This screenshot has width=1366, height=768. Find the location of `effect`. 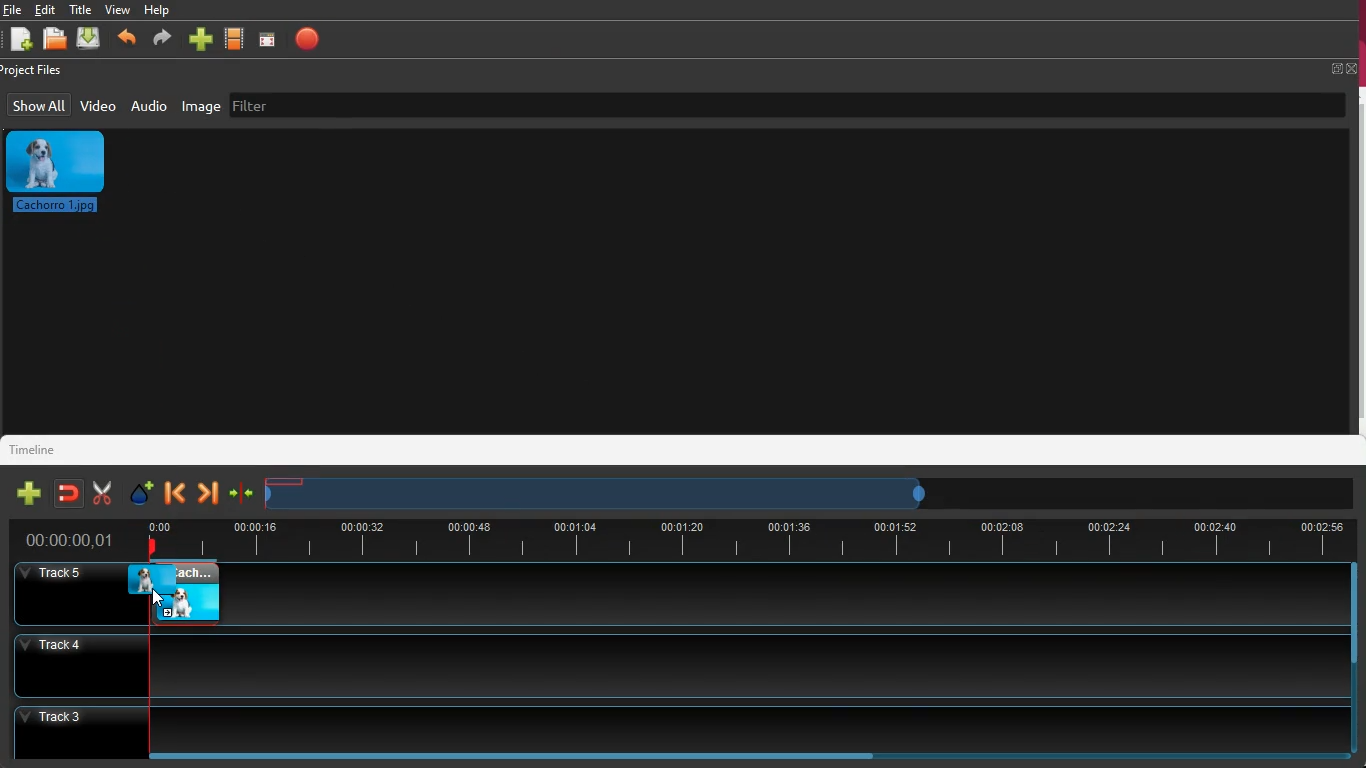

effect is located at coordinates (143, 494).